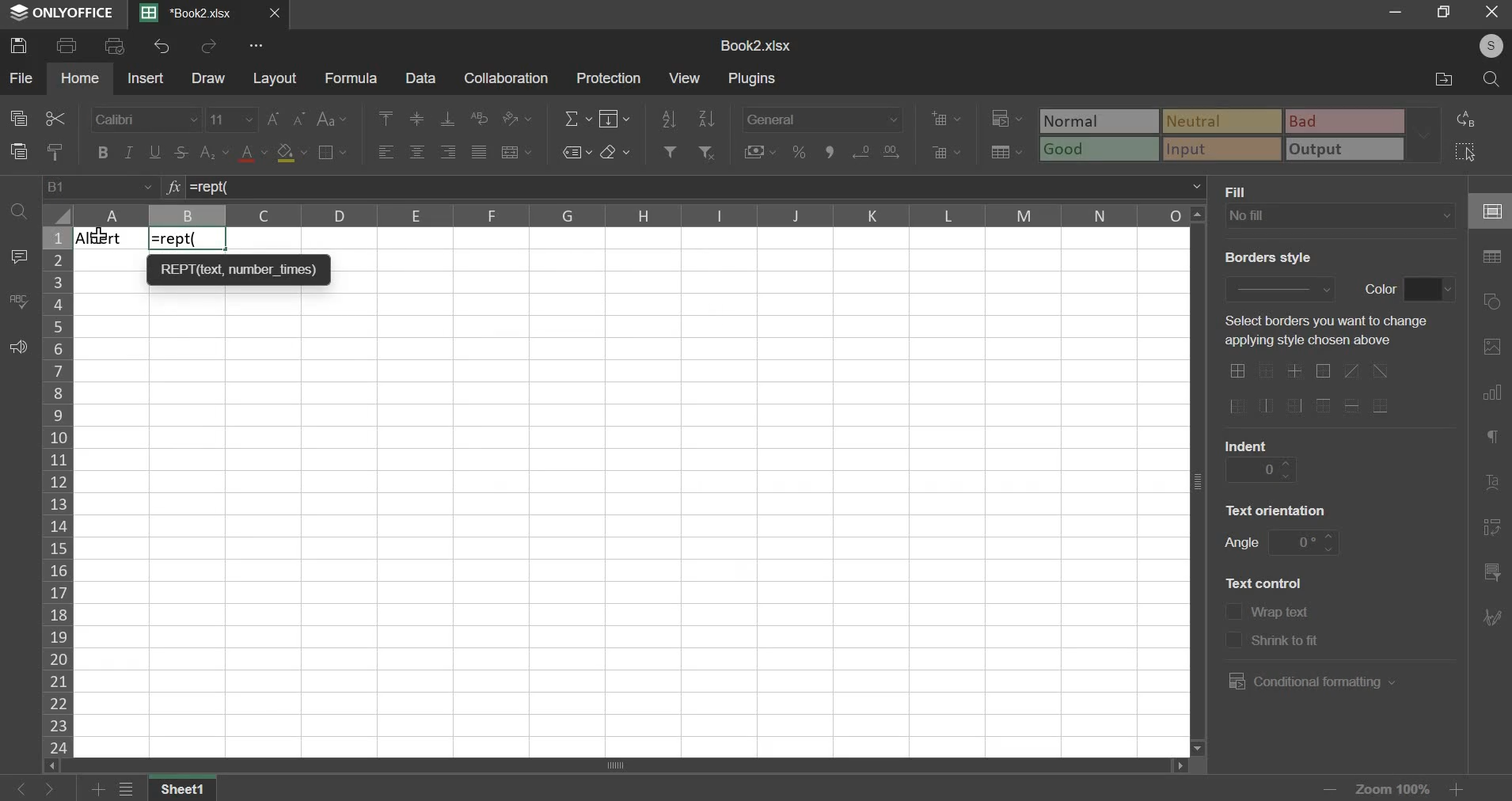 Image resolution: width=1512 pixels, height=801 pixels. What do you see at coordinates (63, 13) in the screenshot?
I see `ONLYOFFICE logo` at bounding box center [63, 13].